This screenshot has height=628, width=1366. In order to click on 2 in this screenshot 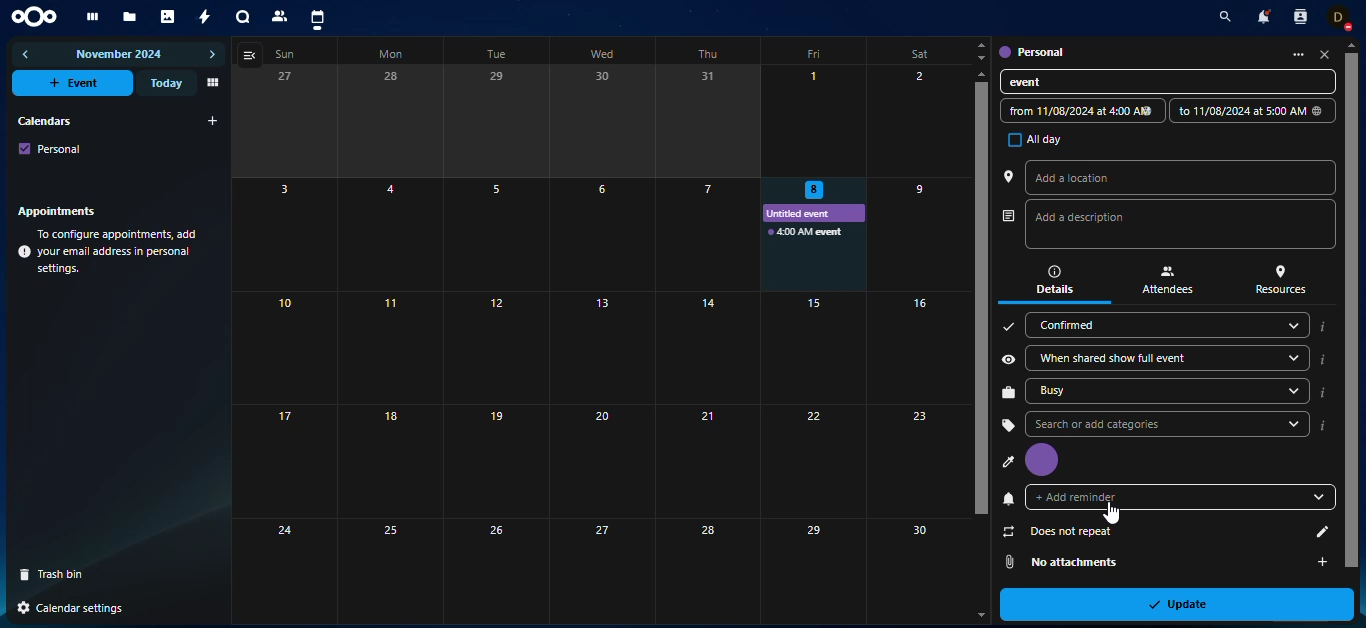, I will do `click(918, 121)`.